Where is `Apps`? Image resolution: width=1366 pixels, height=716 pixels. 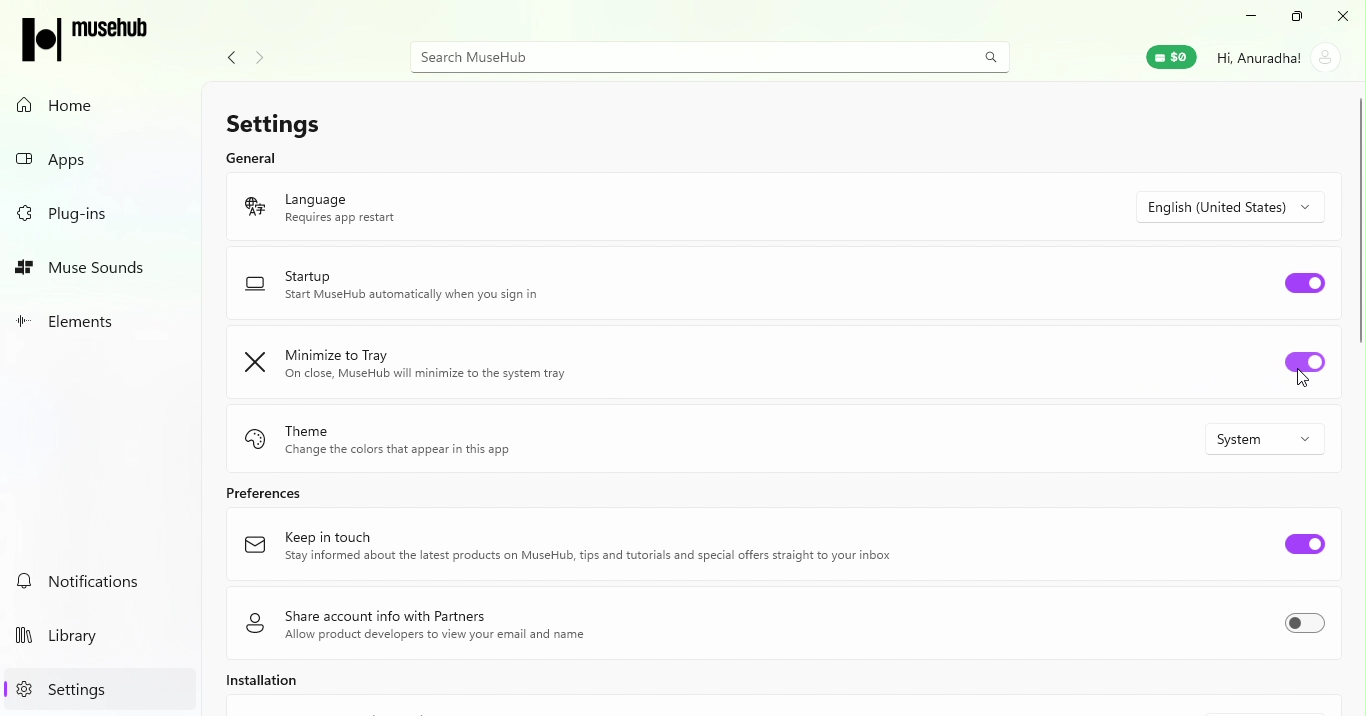 Apps is located at coordinates (64, 157).